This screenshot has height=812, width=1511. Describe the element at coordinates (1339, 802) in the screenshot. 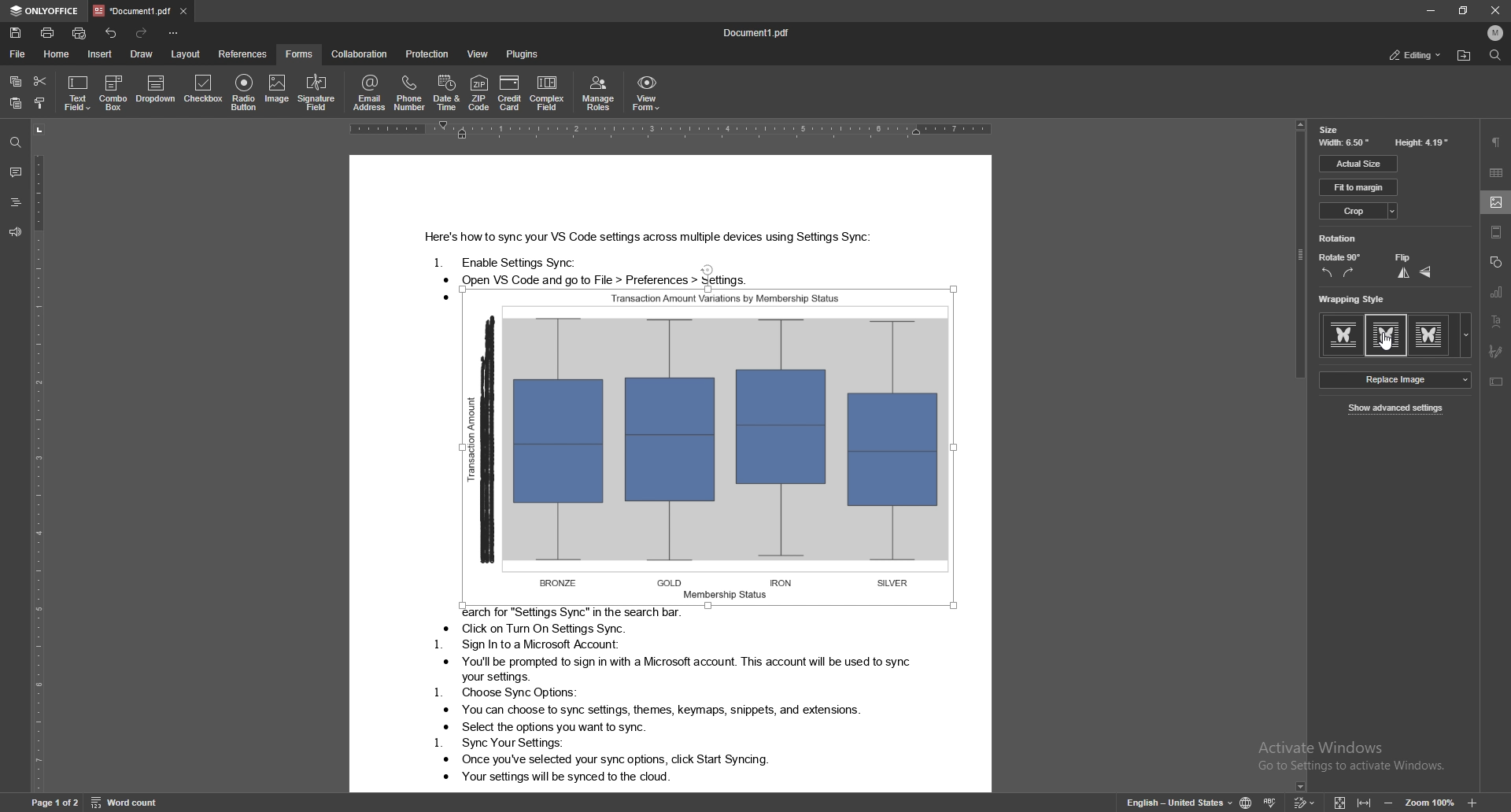

I see `icon` at that location.